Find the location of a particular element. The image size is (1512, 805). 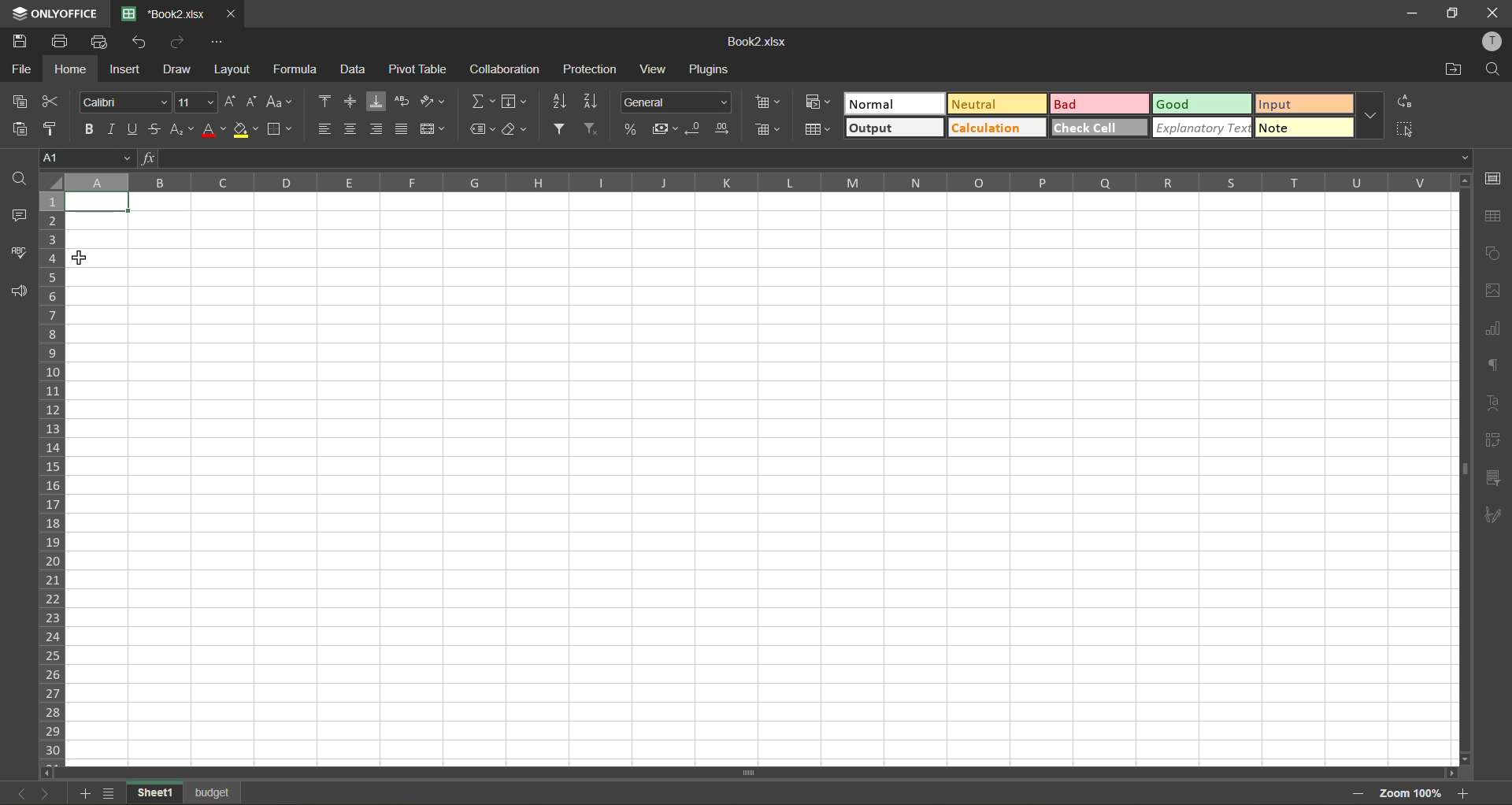

decrement size is located at coordinates (256, 103).